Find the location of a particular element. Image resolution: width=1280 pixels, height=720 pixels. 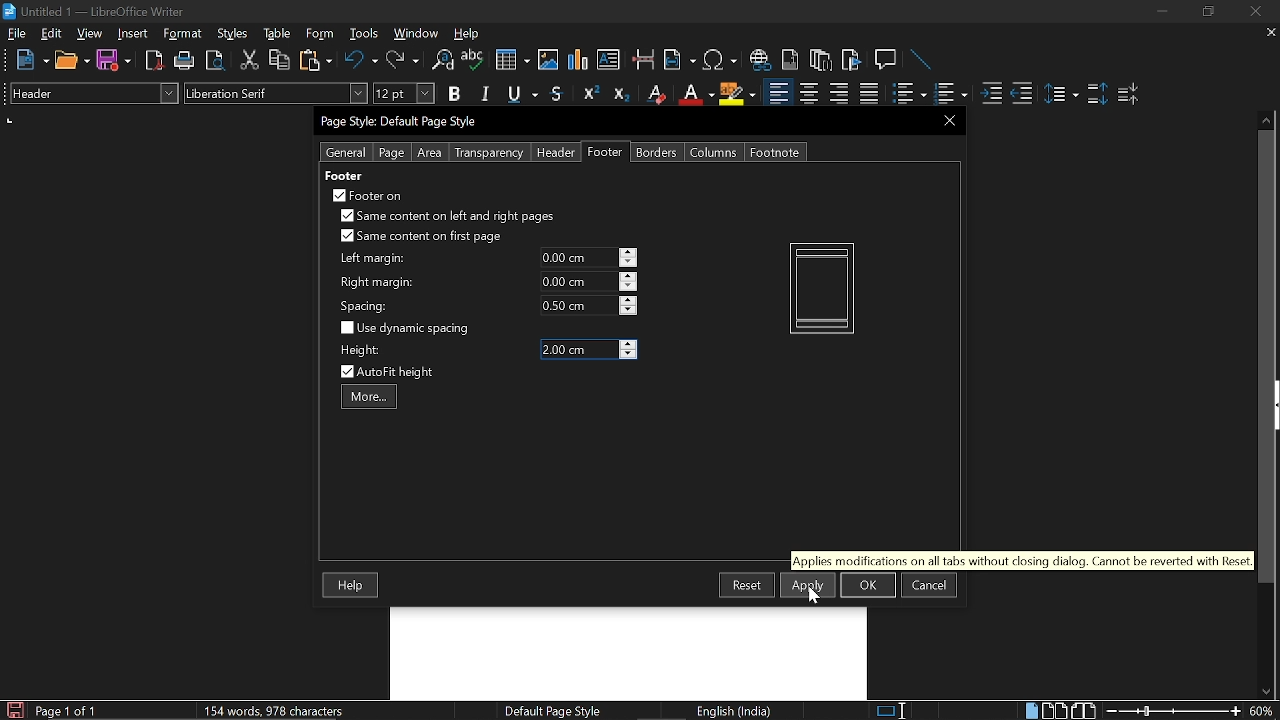

current page Current page is located at coordinates (65, 710).